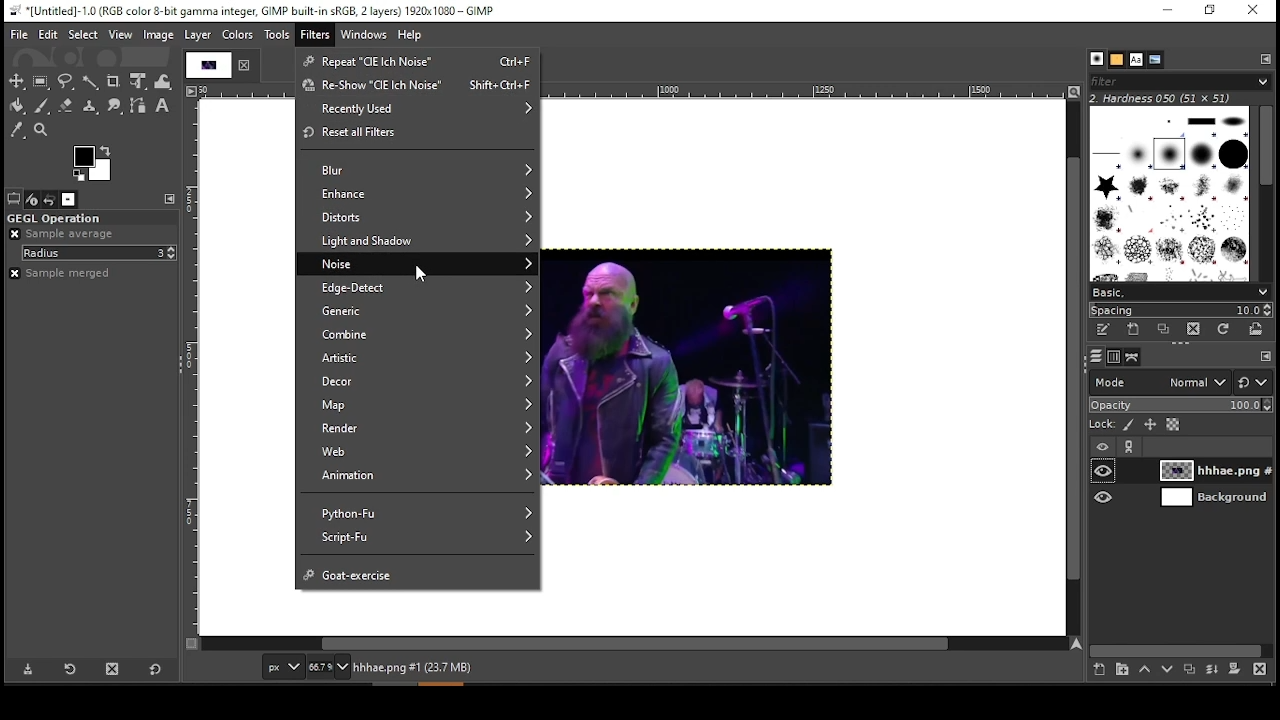 Image resolution: width=1280 pixels, height=720 pixels. What do you see at coordinates (329, 666) in the screenshot?
I see `zoom status` at bounding box center [329, 666].